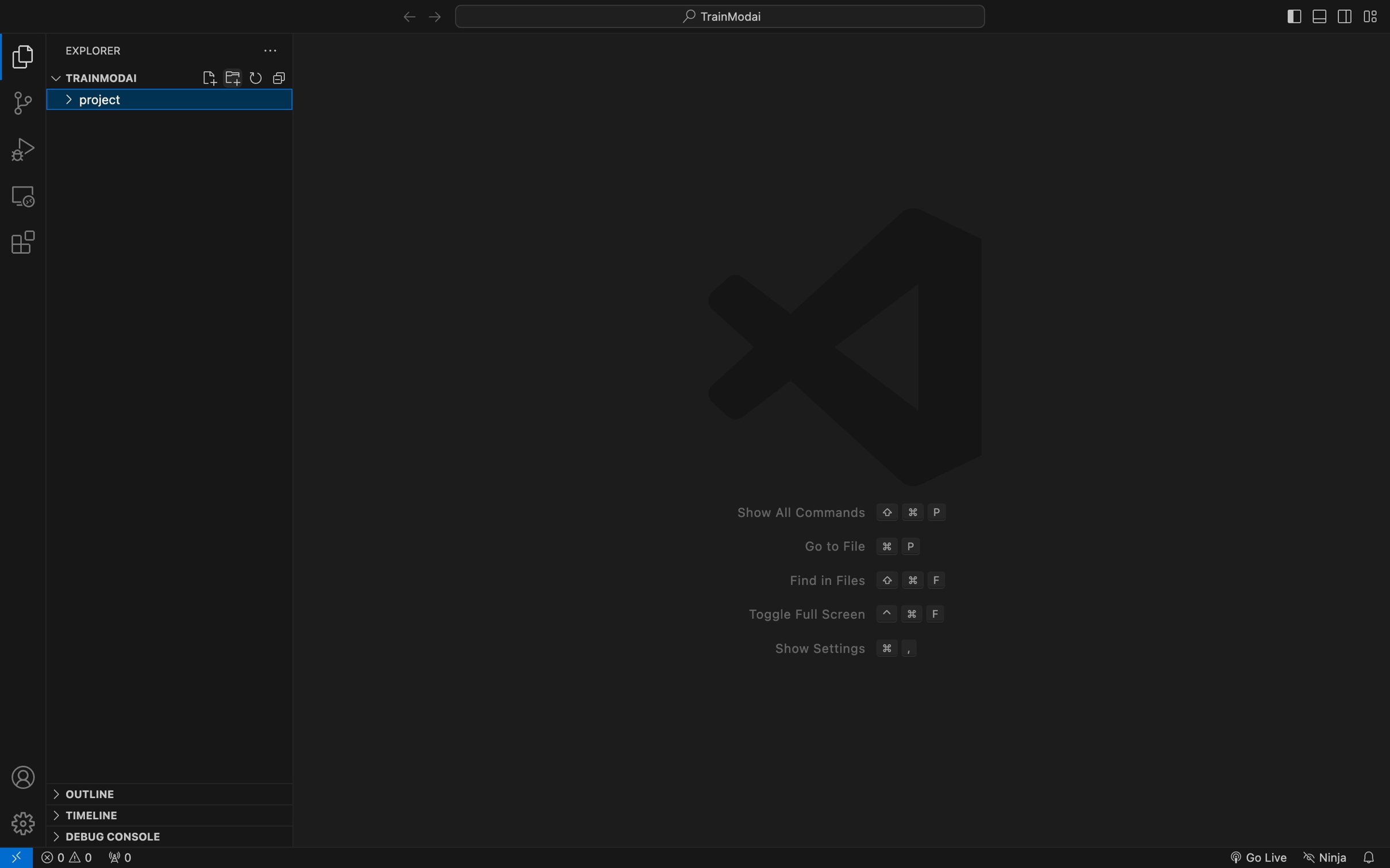 This screenshot has height=868, width=1390. Describe the element at coordinates (23, 103) in the screenshot. I see `git tool` at that location.